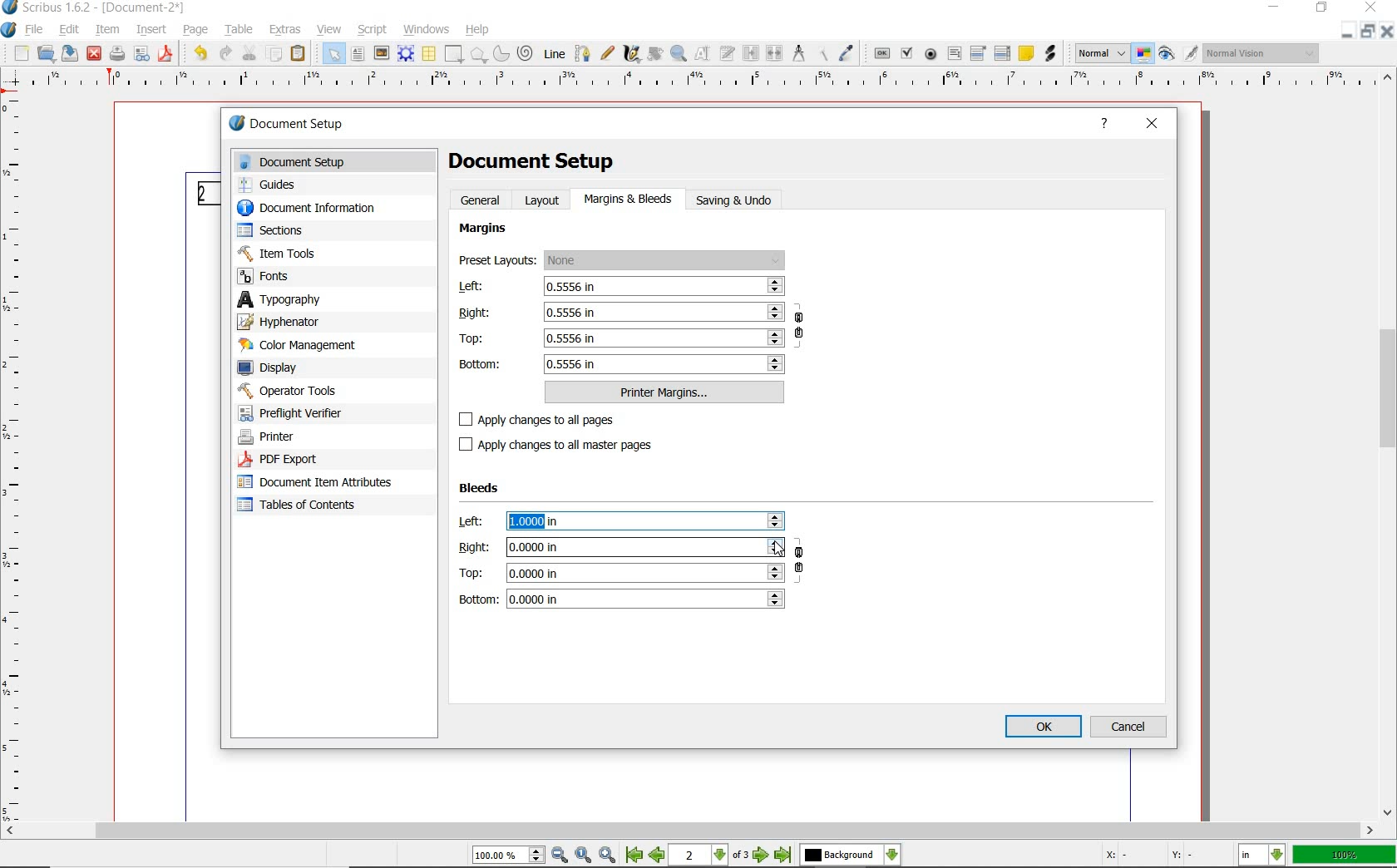 The image size is (1397, 868). Describe the element at coordinates (623, 261) in the screenshot. I see `preset layouts` at that location.